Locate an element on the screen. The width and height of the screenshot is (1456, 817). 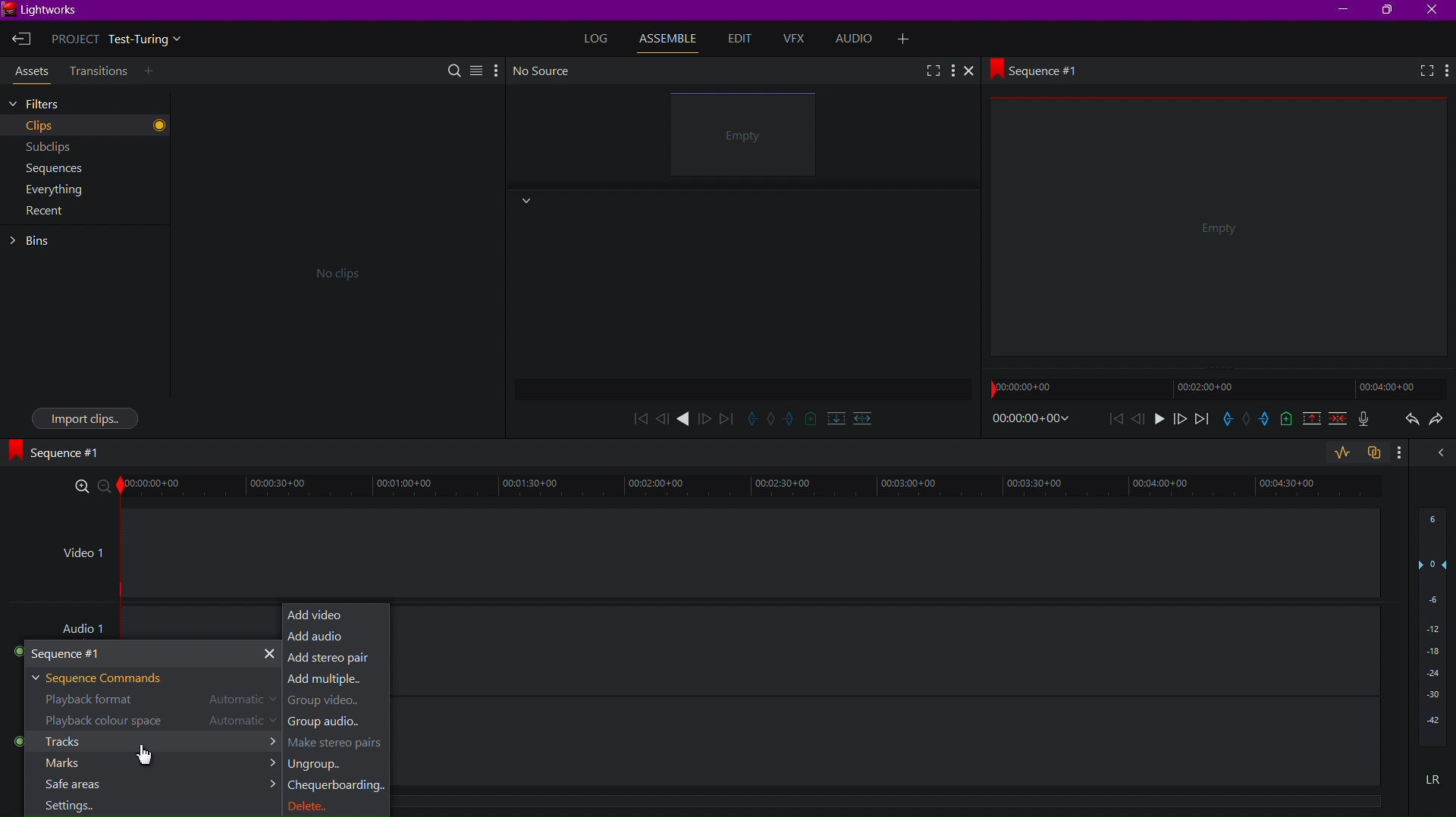
Lightworks is located at coordinates (45, 11).